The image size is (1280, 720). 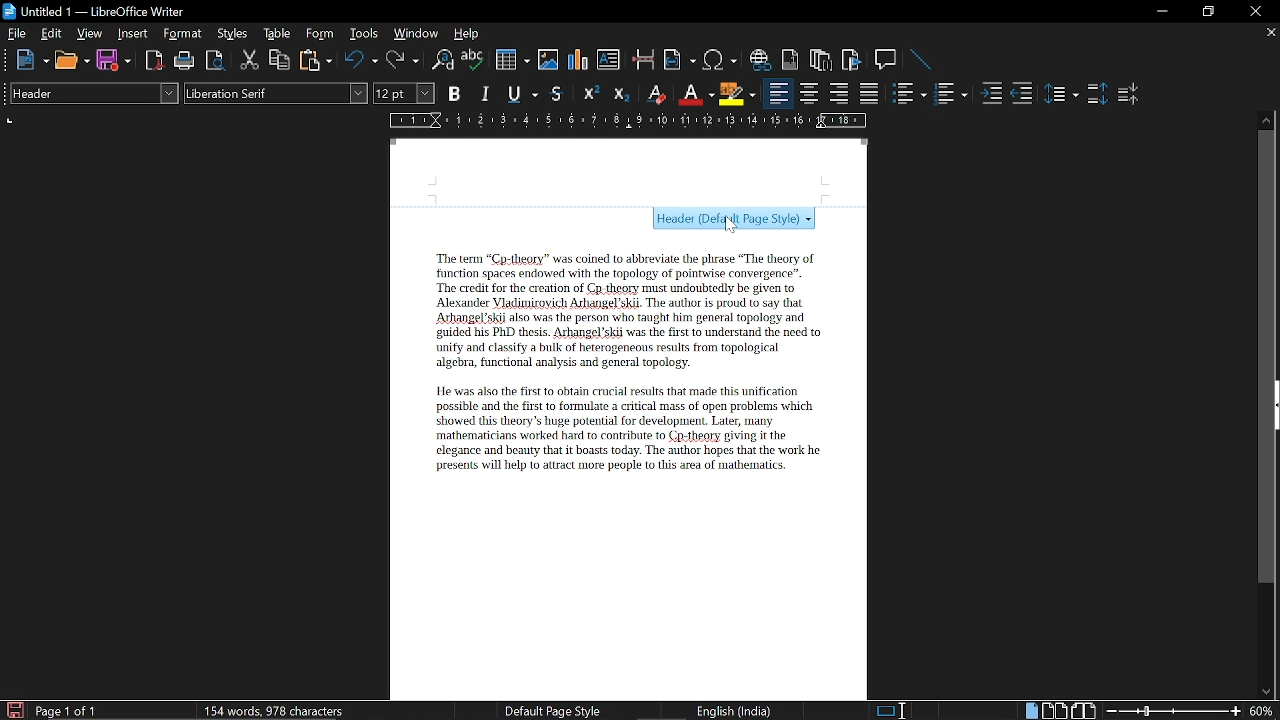 What do you see at coordinates (1031, 710) in the screenshot?
I see `Single page view` at bounding box center [1031, 710].